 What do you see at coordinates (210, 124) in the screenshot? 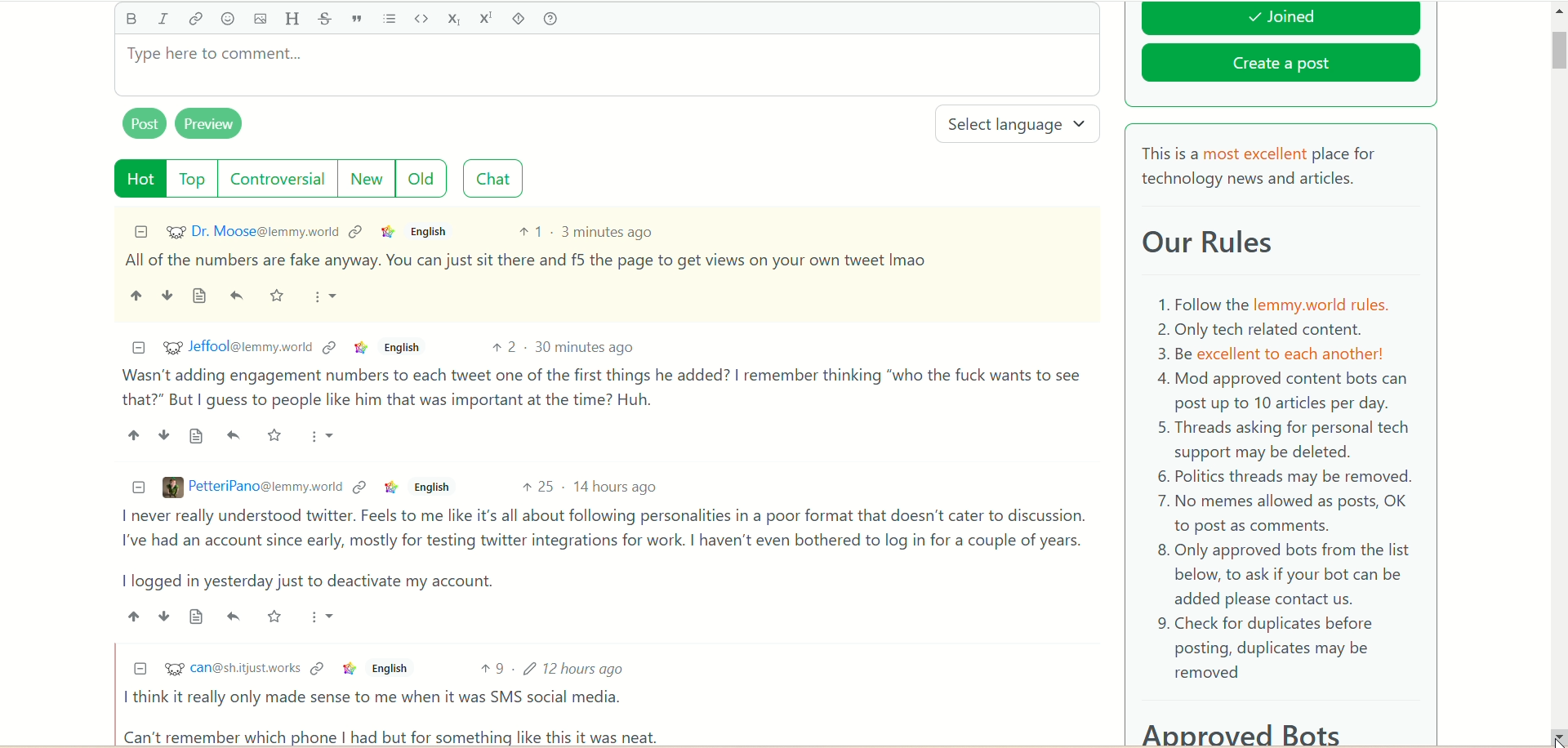
I see `preview` at bounding box center [210, 124].